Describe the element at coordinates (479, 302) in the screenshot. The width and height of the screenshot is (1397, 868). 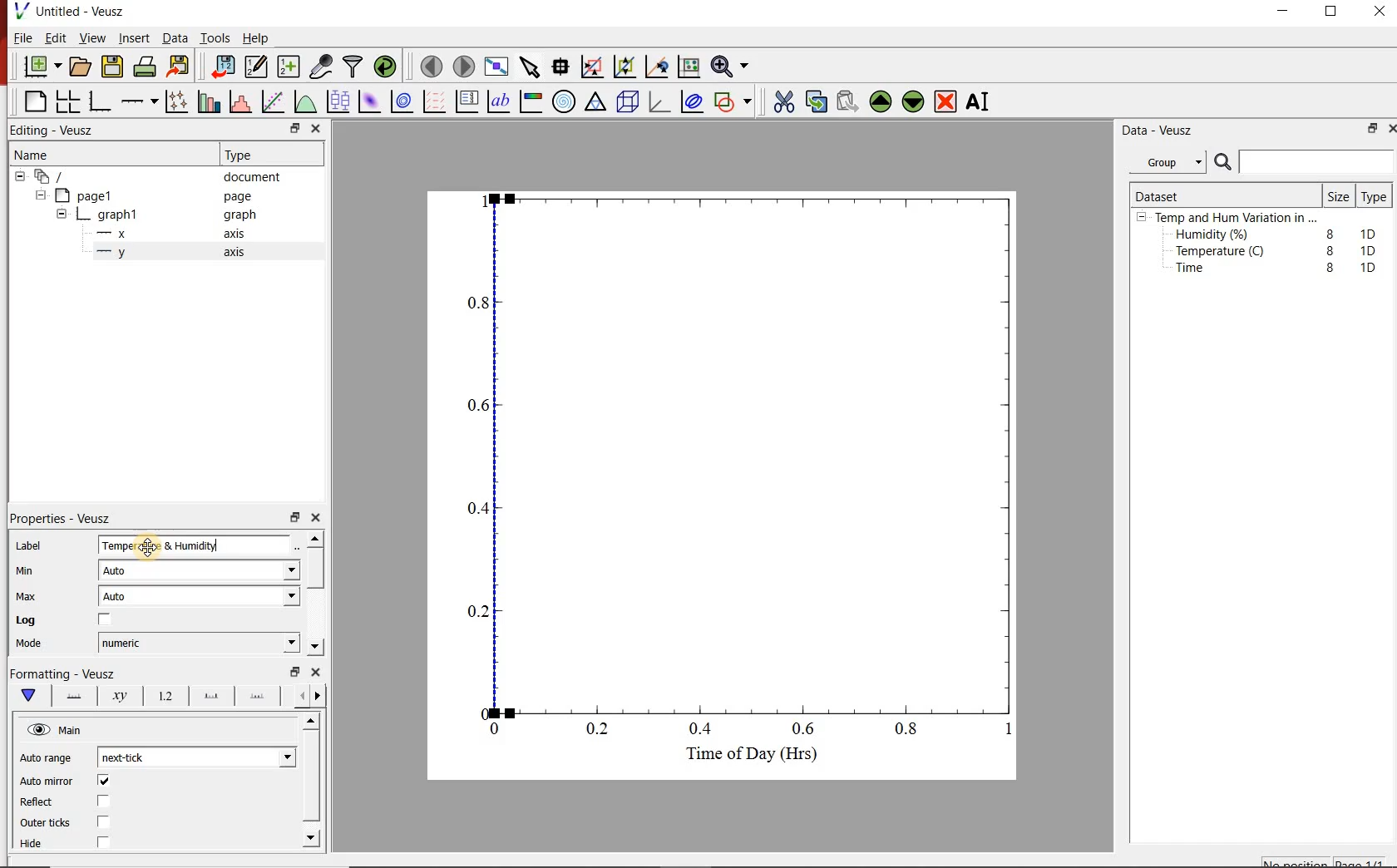
I see `0.8` at that location.